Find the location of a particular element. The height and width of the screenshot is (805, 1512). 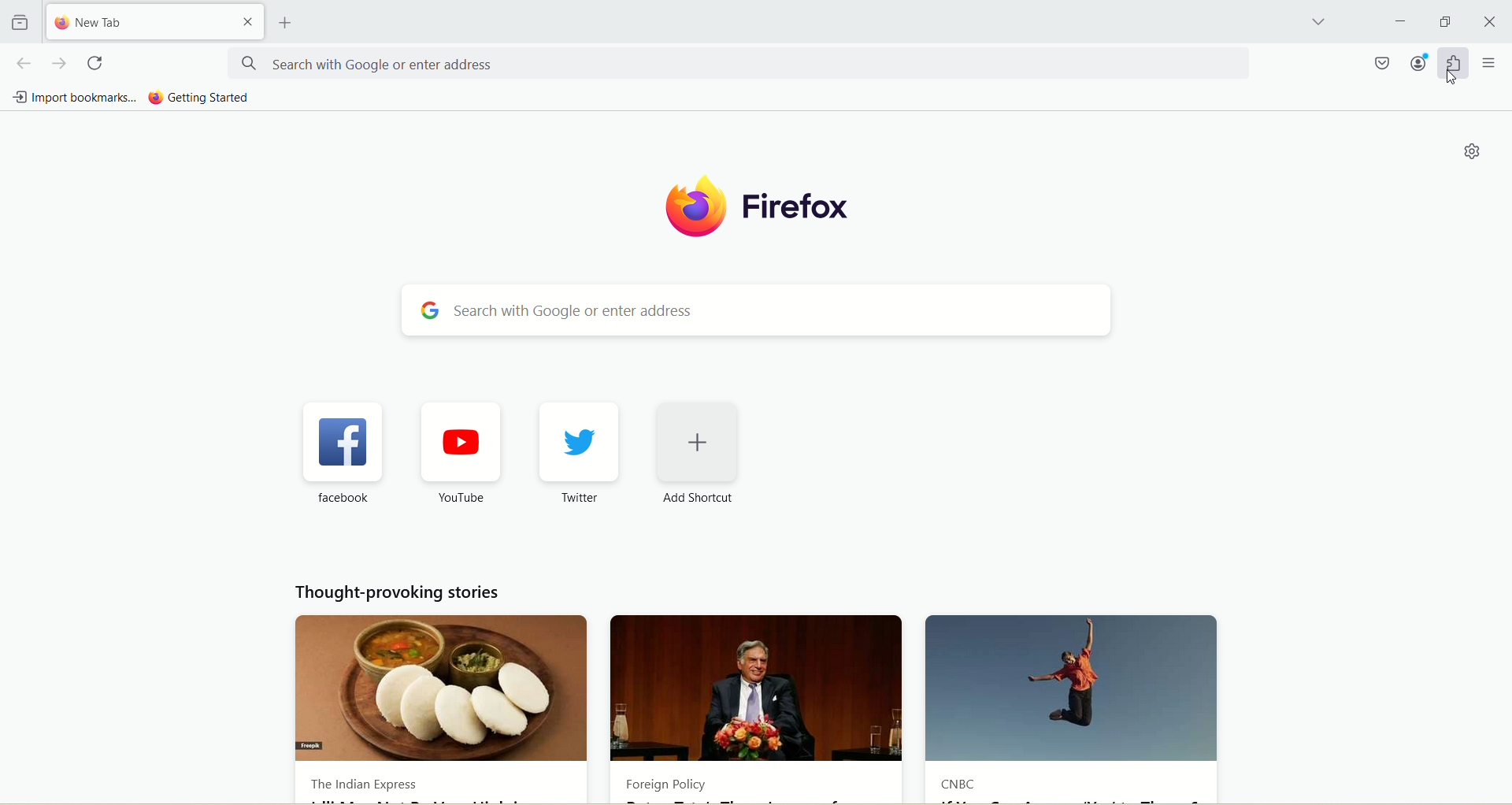

Close is located at coordinates (248, 21).